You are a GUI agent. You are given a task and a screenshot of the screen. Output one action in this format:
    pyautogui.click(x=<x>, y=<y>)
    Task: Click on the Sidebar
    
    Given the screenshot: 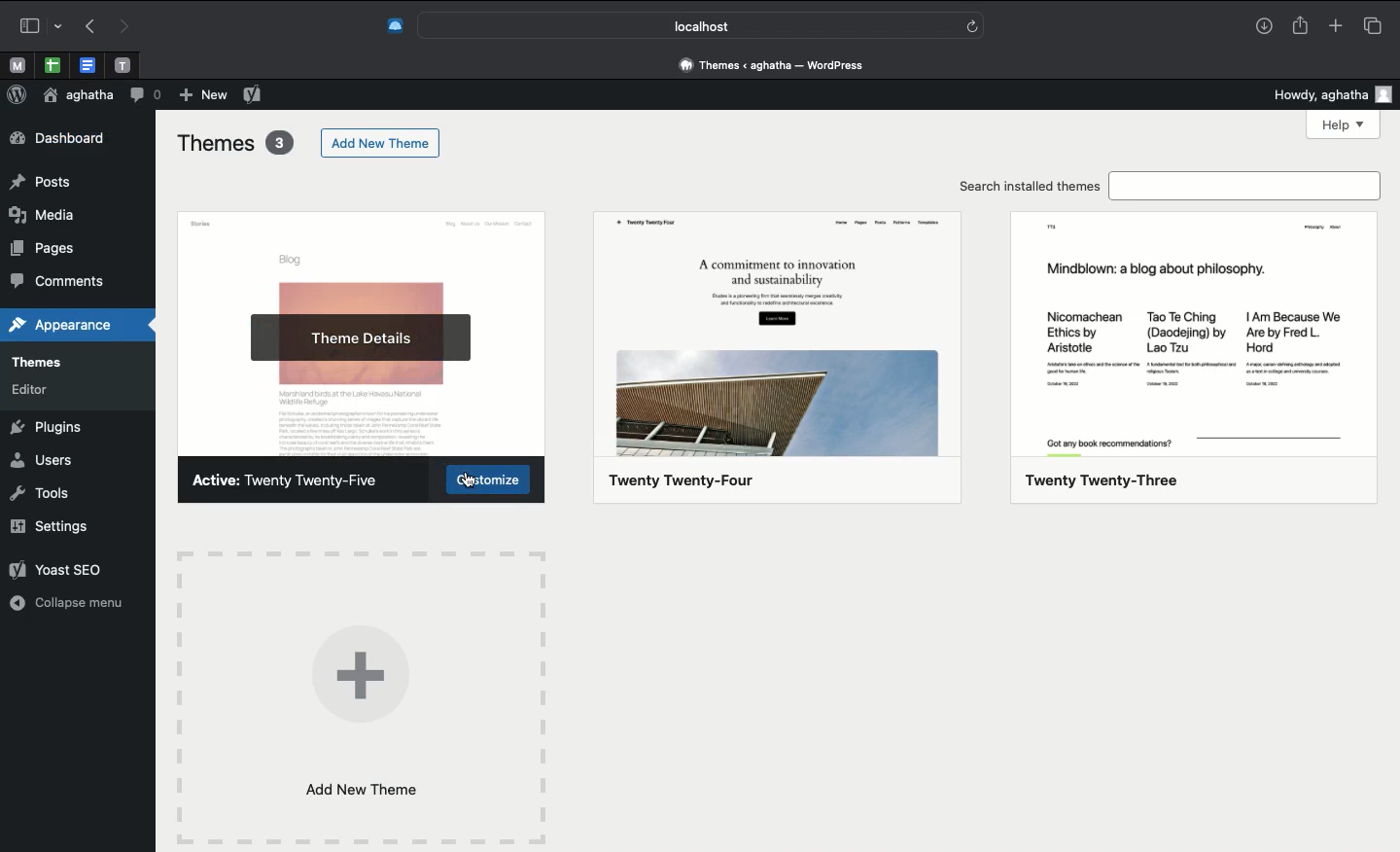 What is the action you would take?
    pyautogui.click(x=36, y=26)
    